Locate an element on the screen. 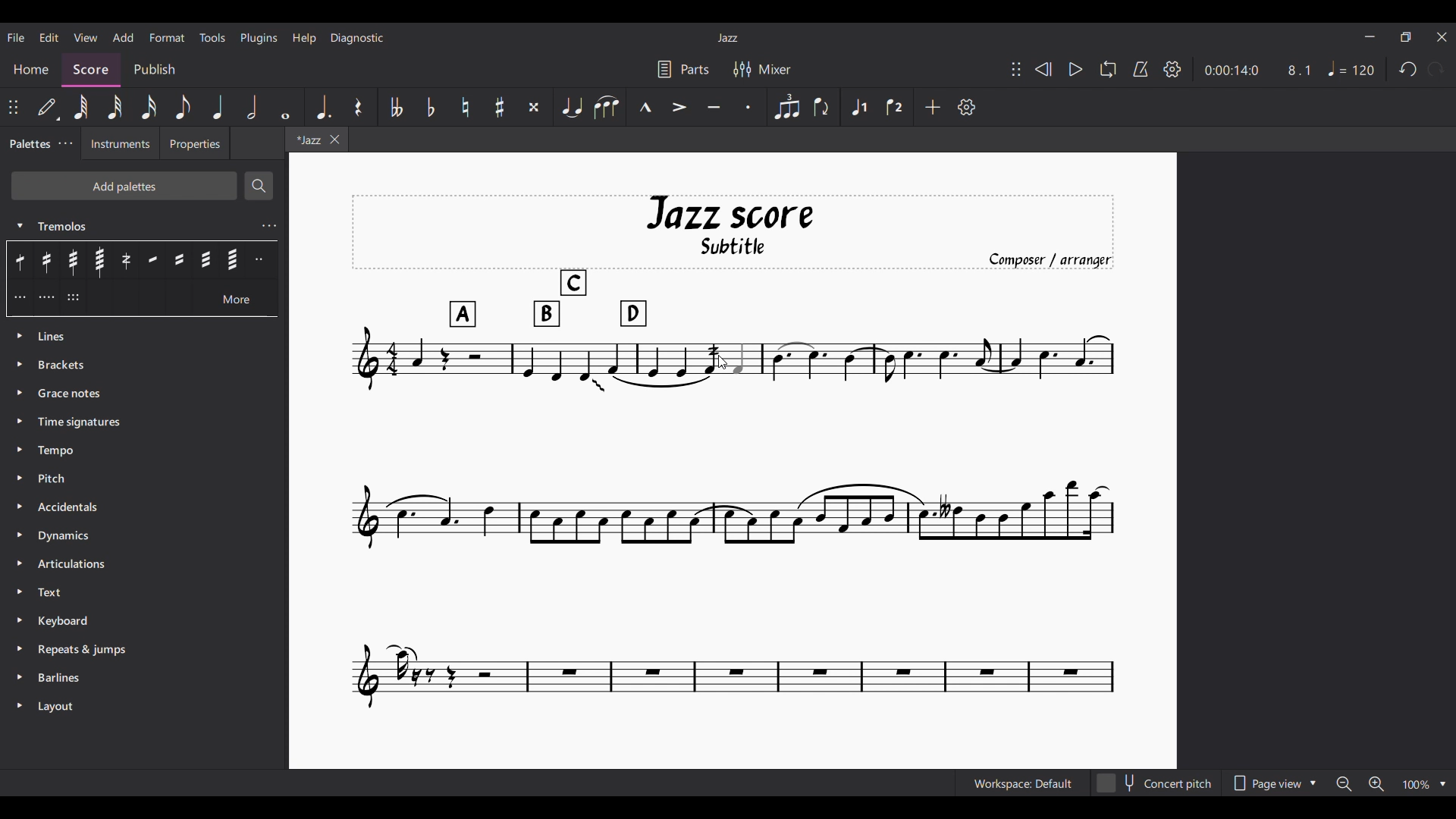 The image size is (1456, 819). Zoom options is located at coordinates (1424, 783).